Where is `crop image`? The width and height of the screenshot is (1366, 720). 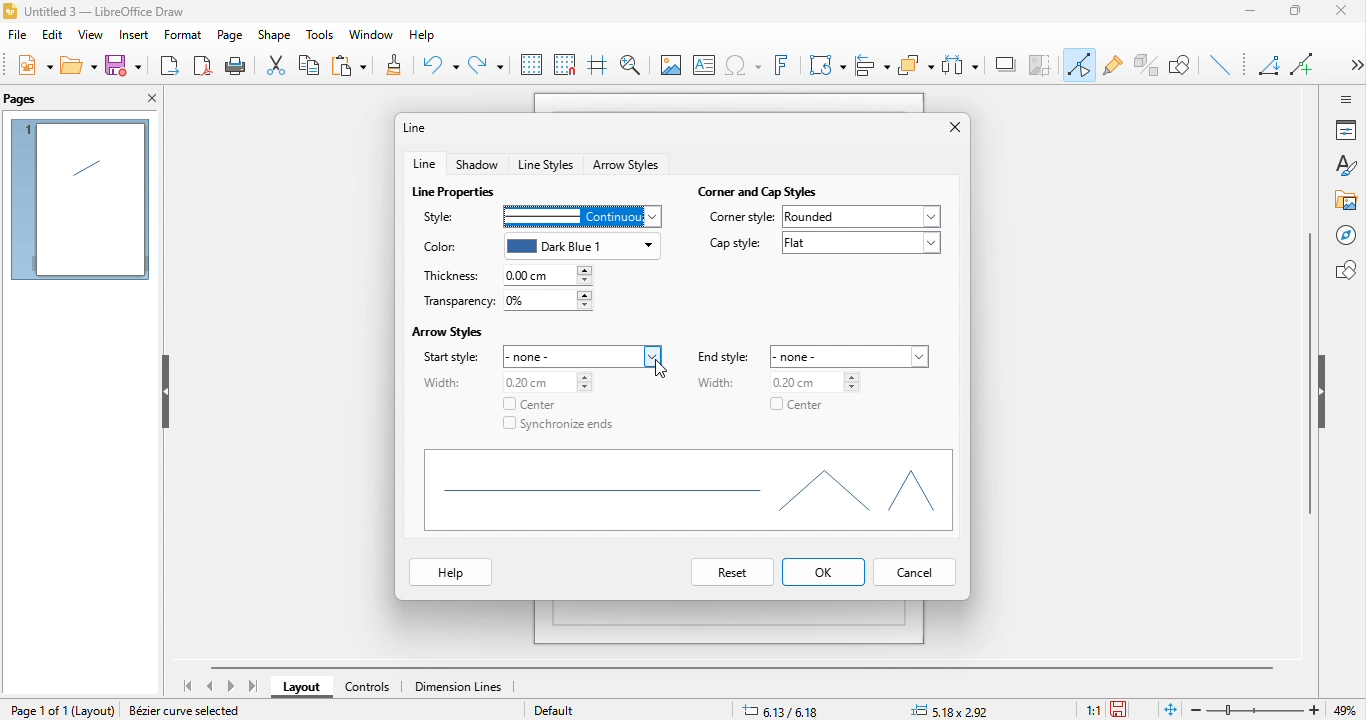 crop image is located at coordinates (1043, 63).